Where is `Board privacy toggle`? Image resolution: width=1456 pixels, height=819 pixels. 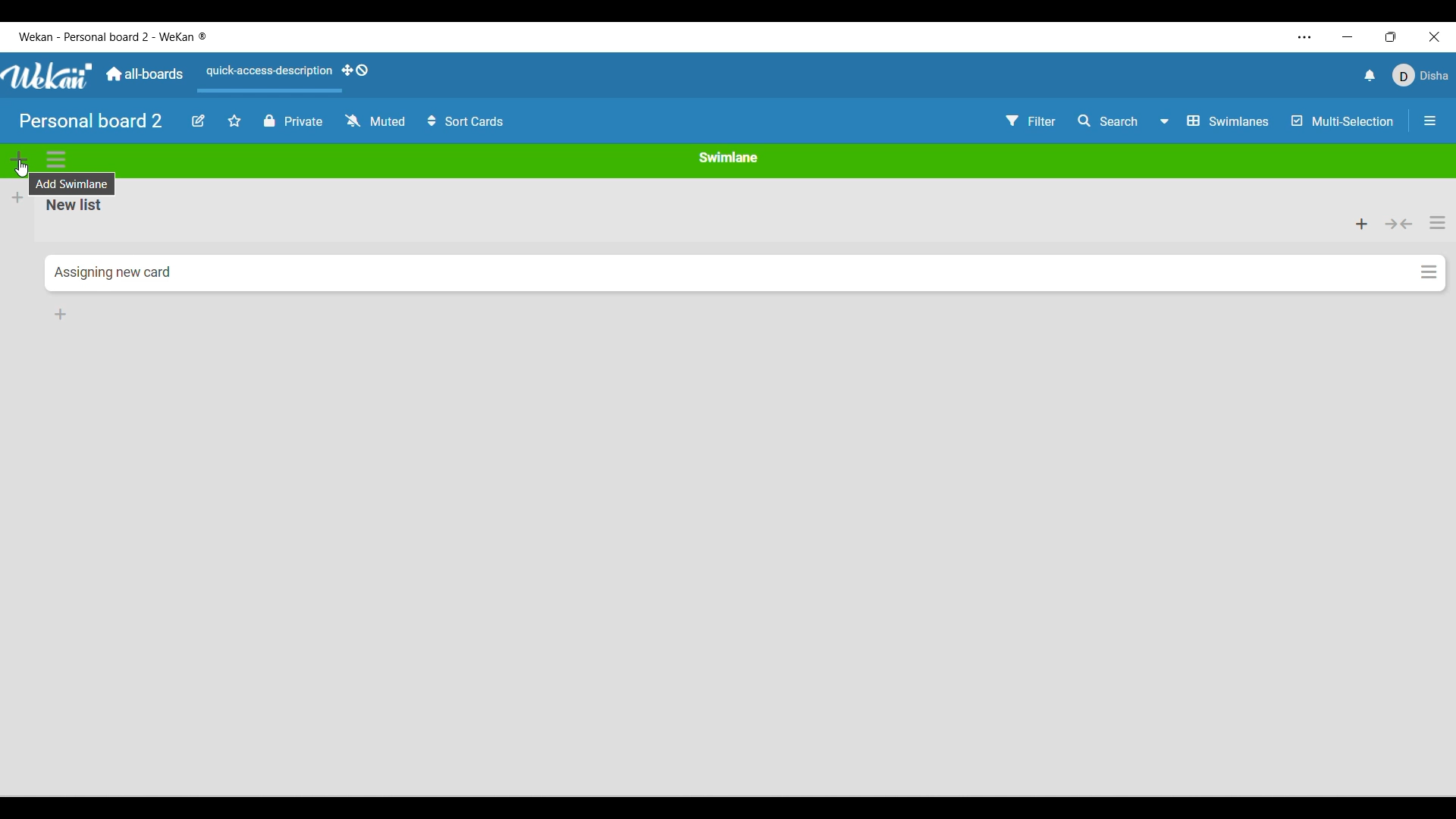
Board privacy toggle is located at coordinates (294, 121).